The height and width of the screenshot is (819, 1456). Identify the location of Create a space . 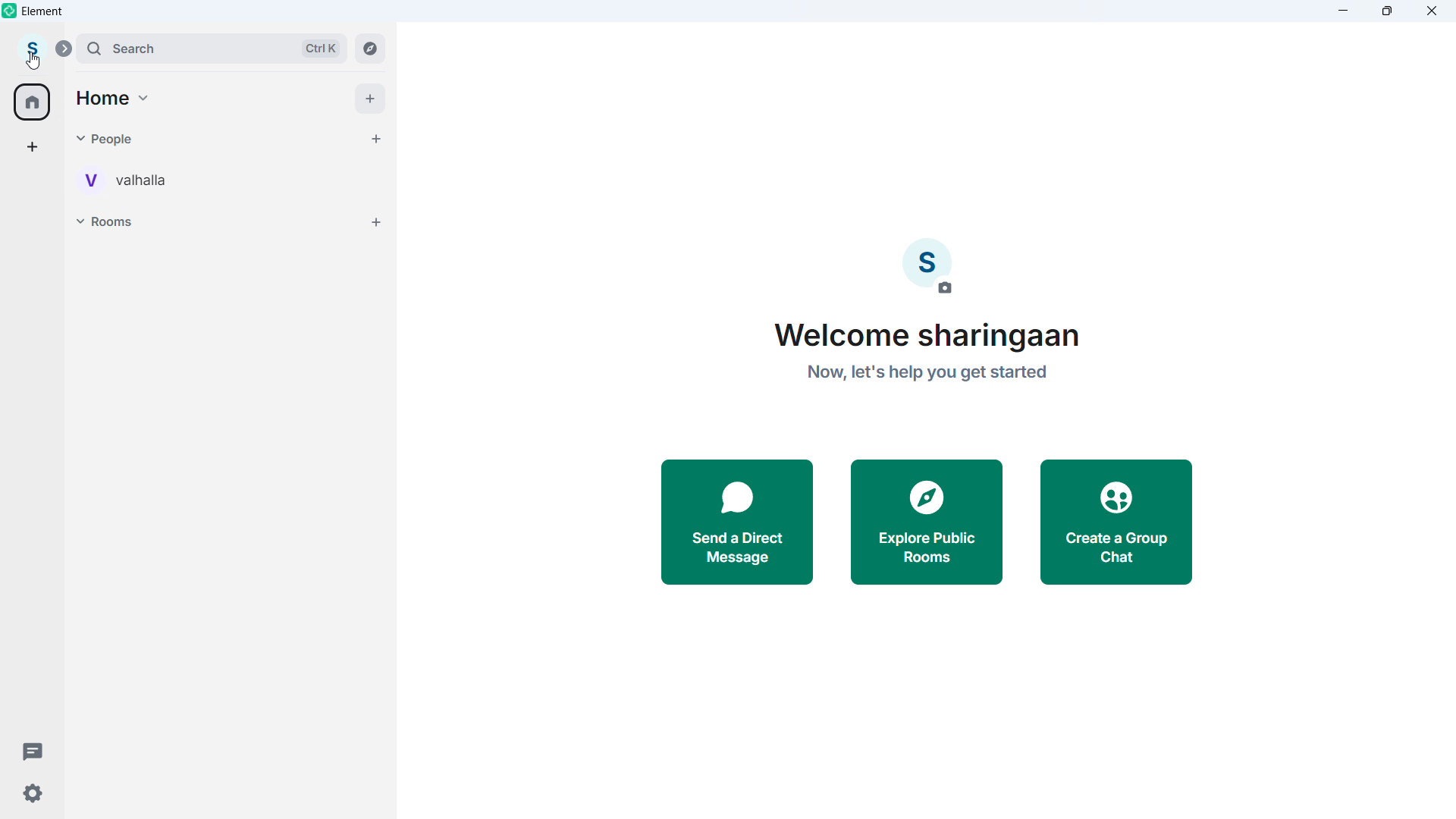
(33, 147).